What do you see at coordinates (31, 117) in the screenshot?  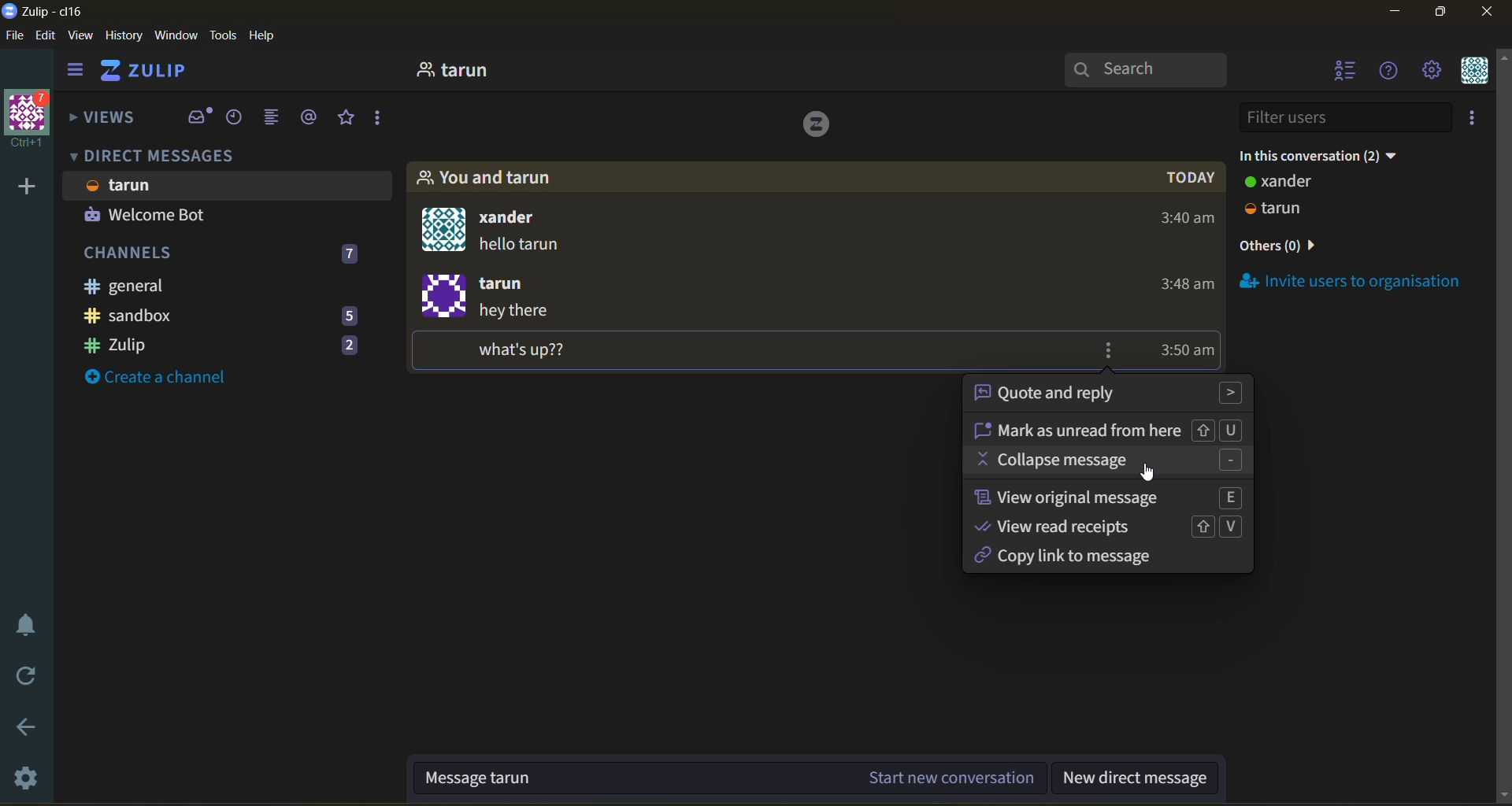 I see `organisation name and profile picture` at bounding box center [31, 117].